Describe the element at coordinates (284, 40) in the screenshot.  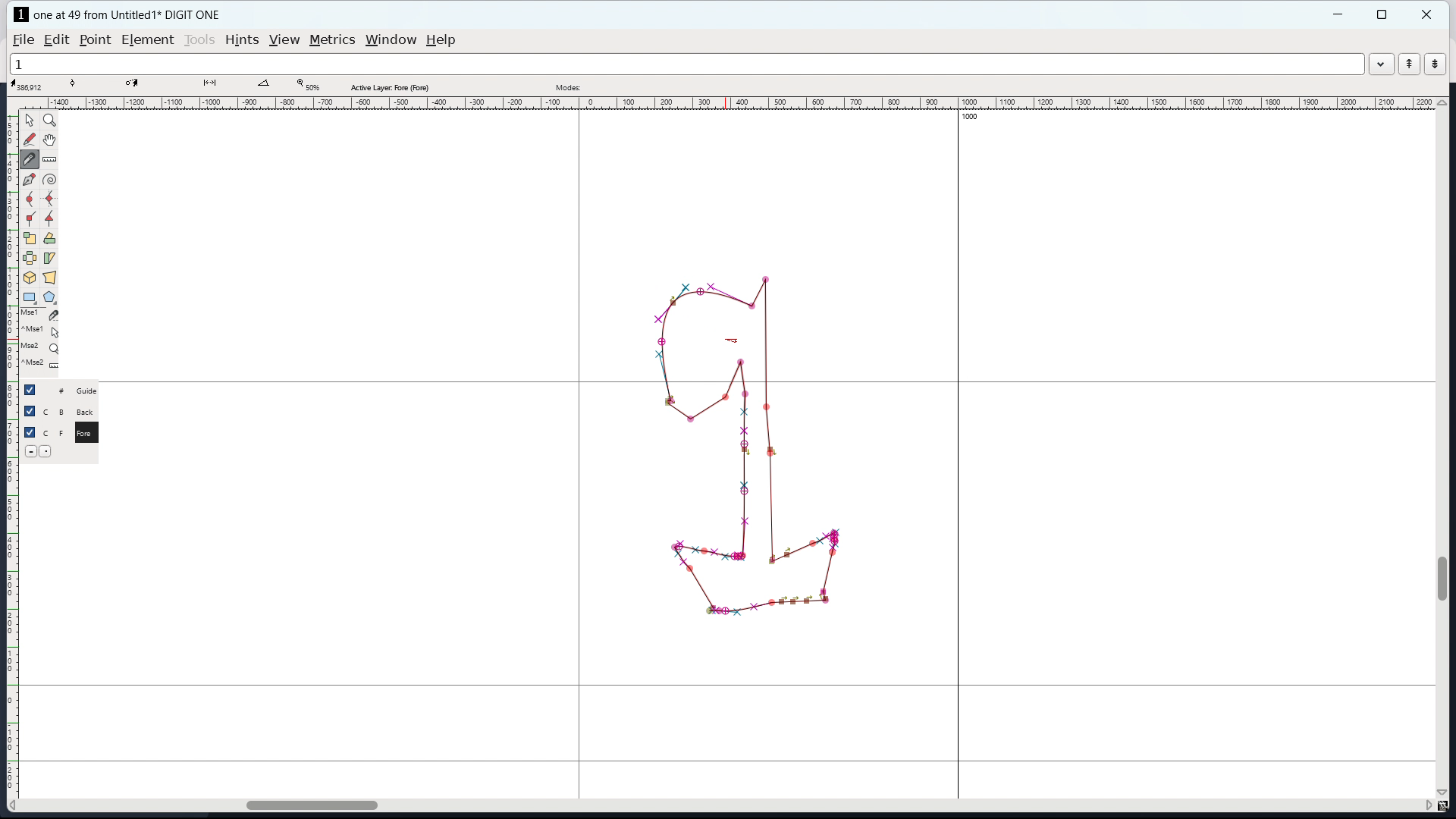
I see `view` at that location.